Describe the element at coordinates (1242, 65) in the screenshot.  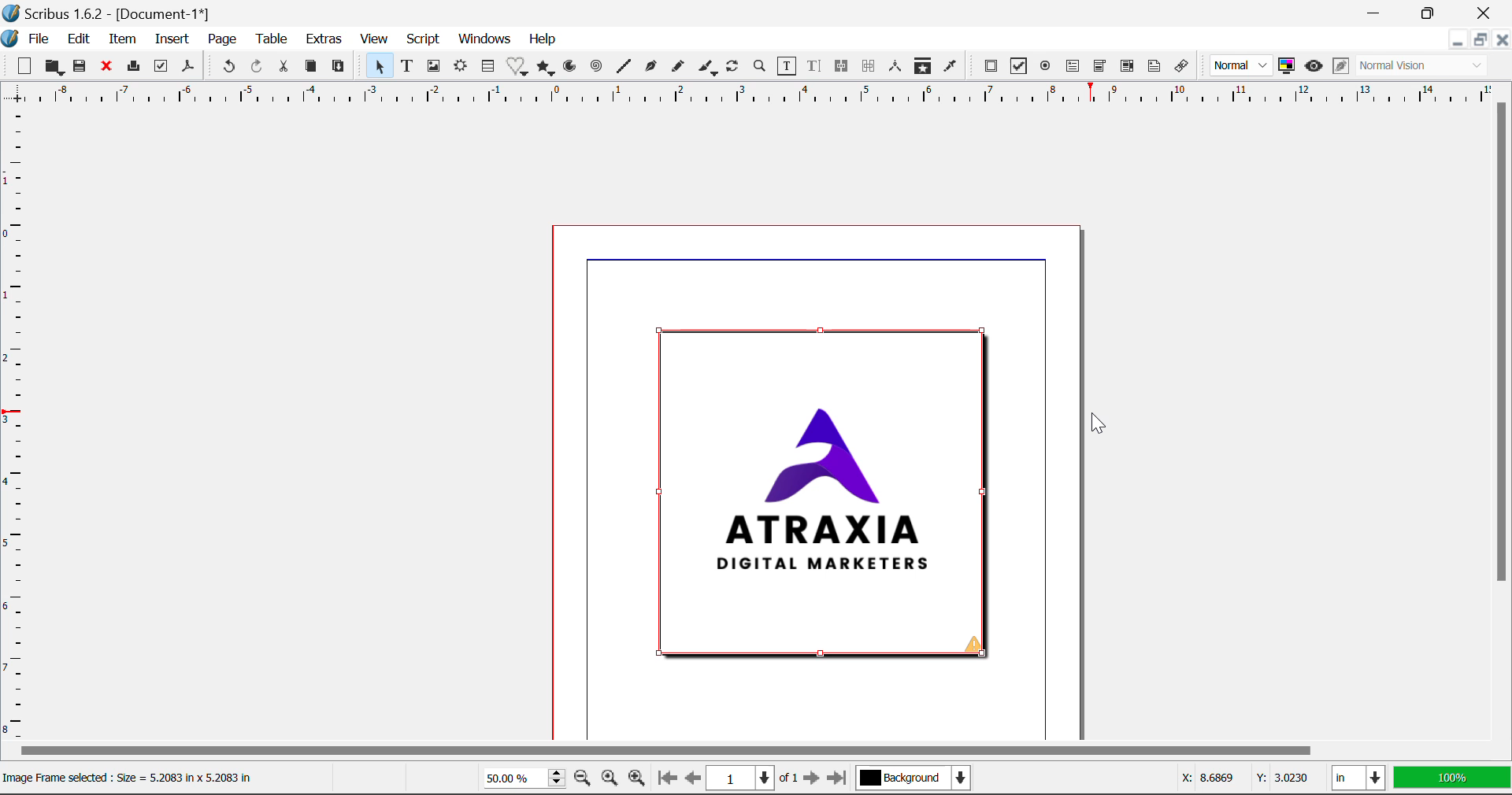
I see `Normal` at that location.